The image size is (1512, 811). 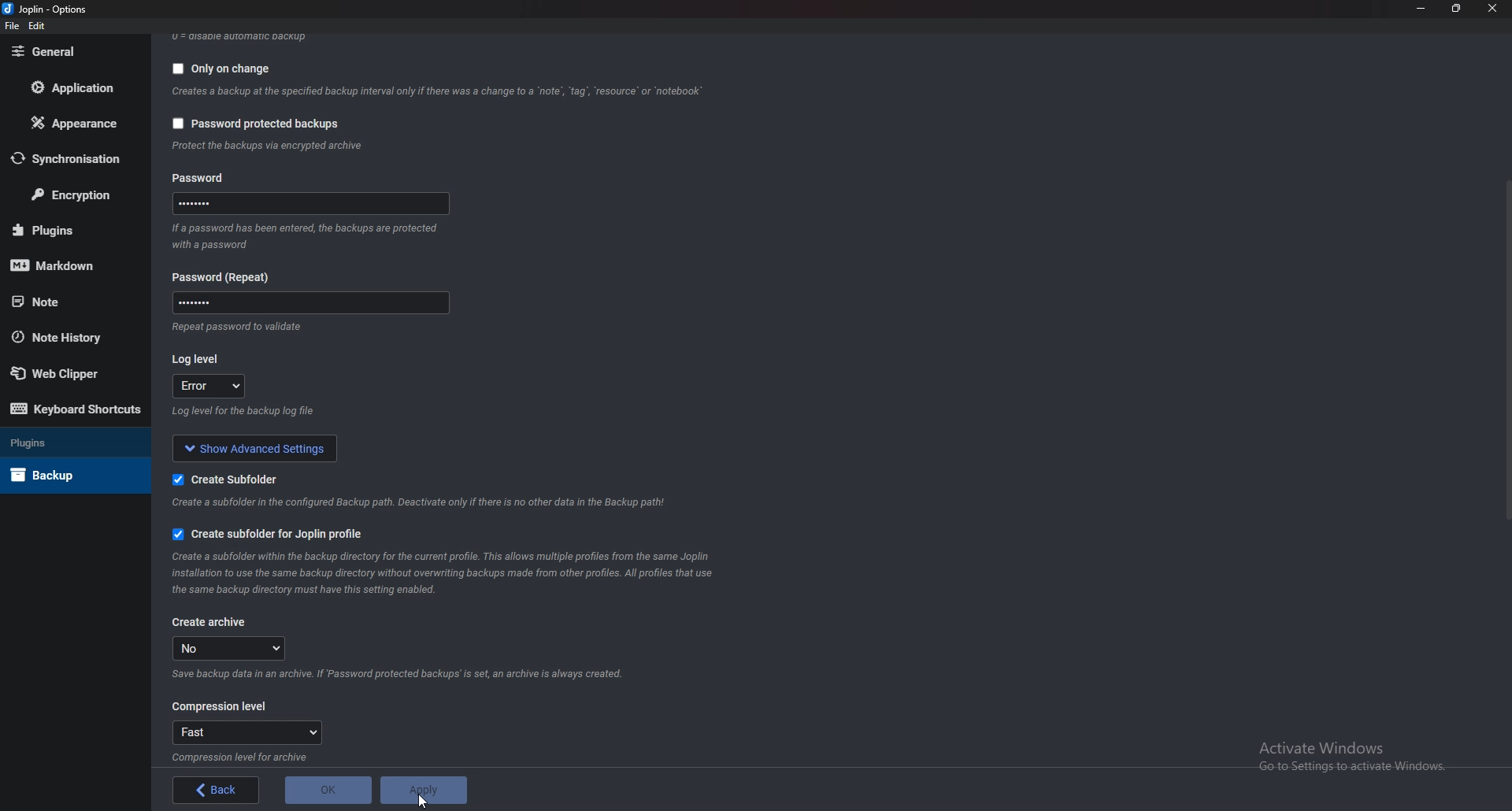 I want to click on log level, so click(x=209, y=387).